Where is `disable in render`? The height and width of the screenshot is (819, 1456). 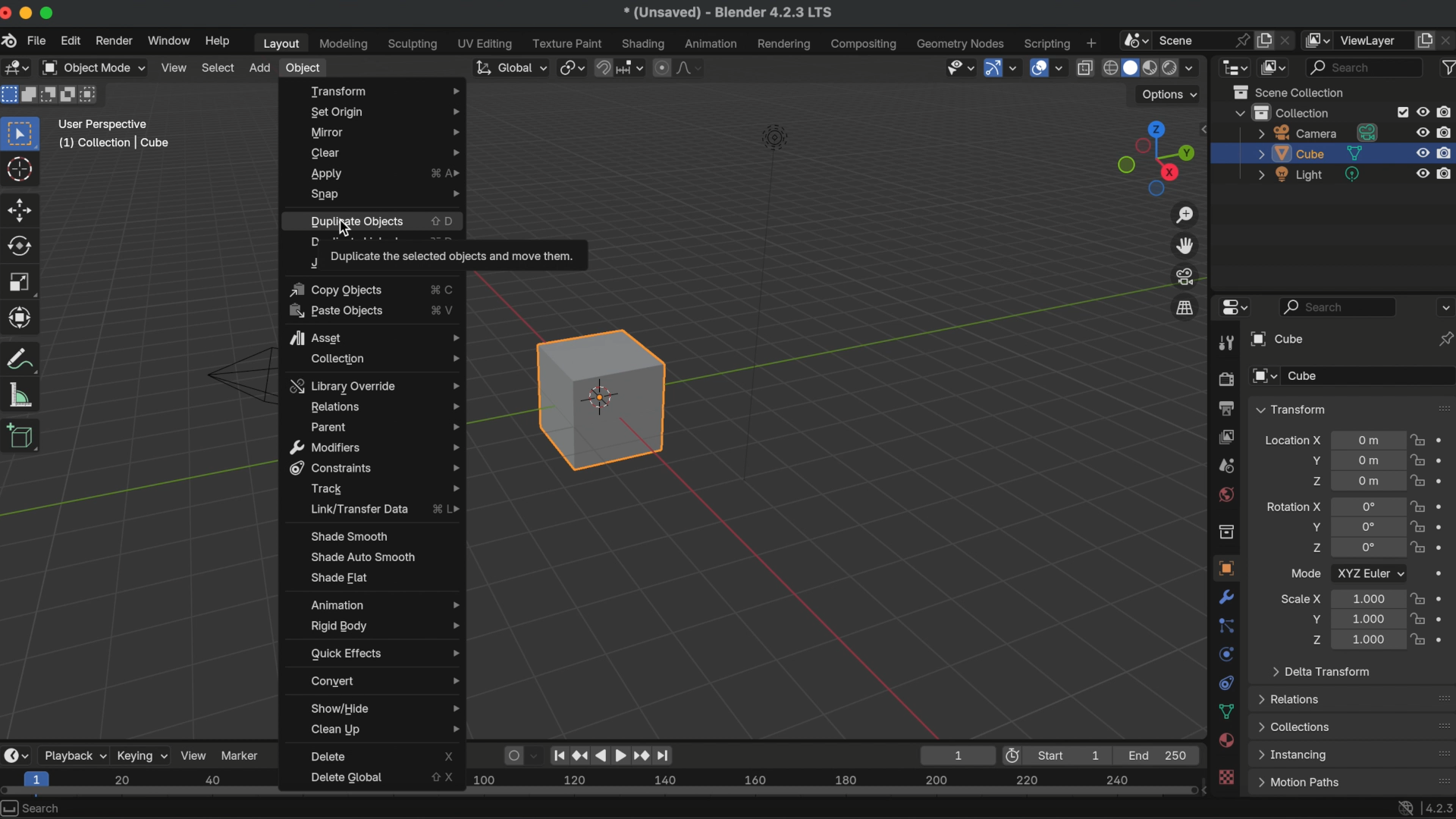 disable in render is located at coordinates (1446, 152).